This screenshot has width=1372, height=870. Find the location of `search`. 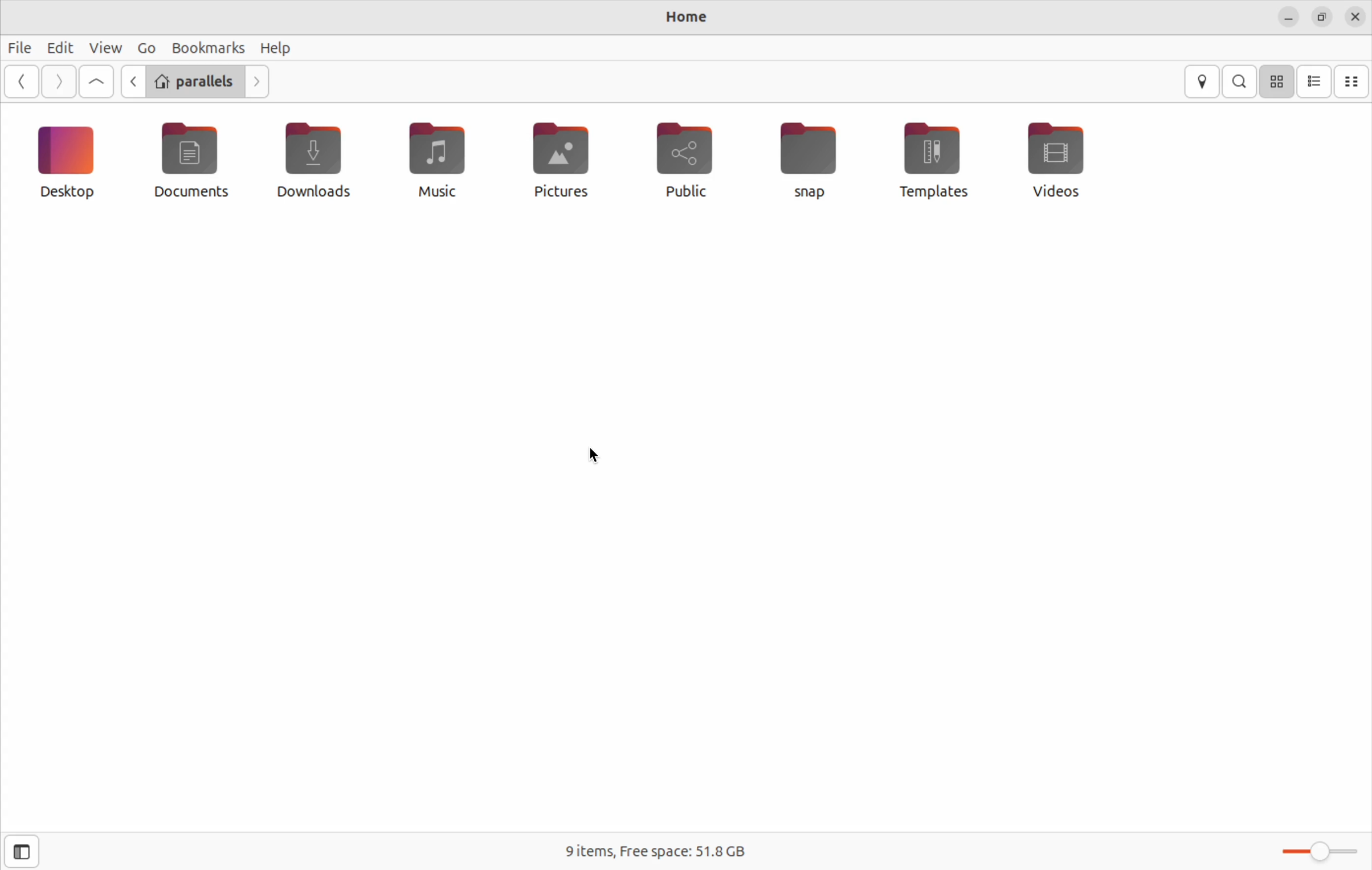

search is located at coordinates (1241, 81).